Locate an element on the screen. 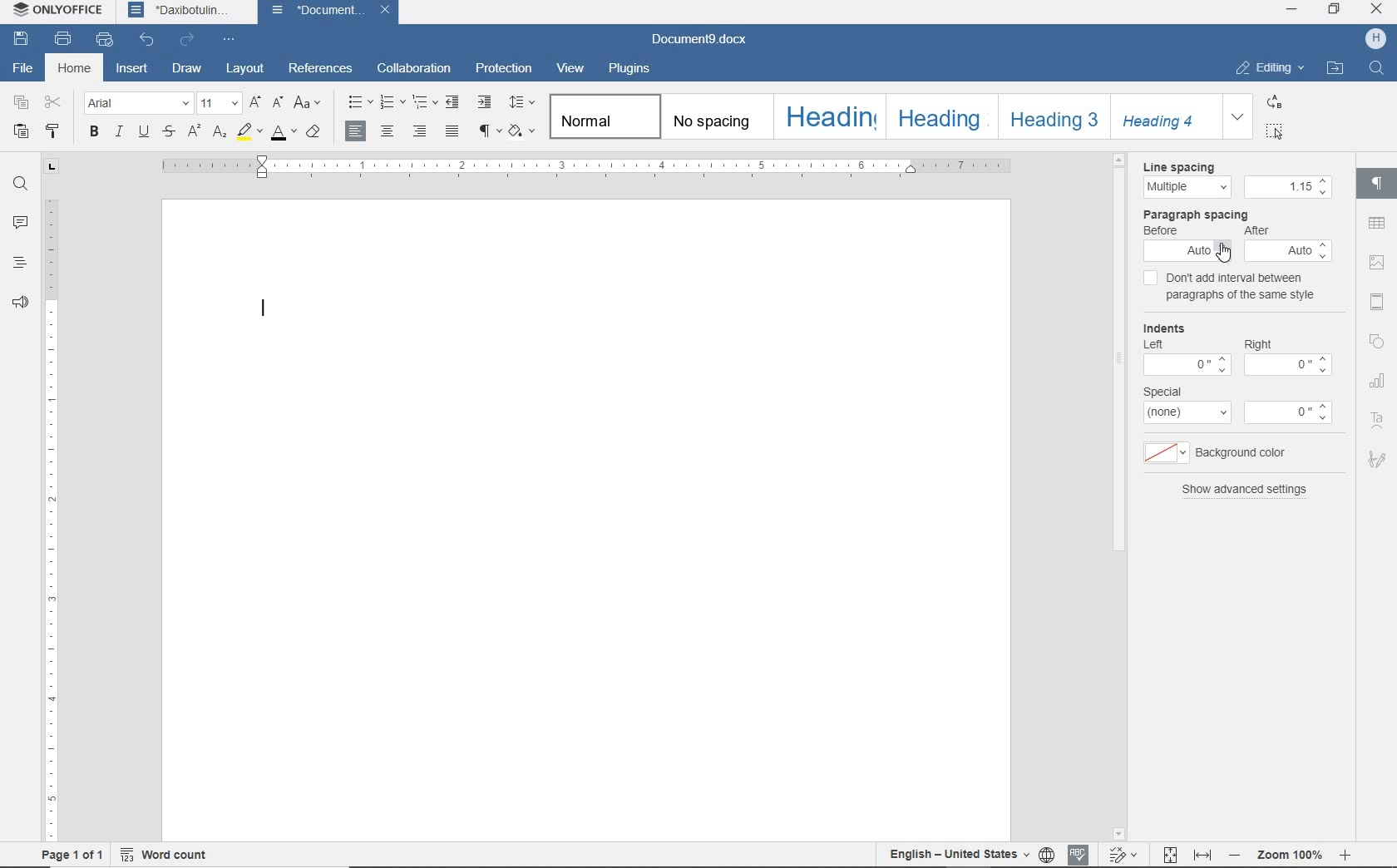 The image size is (1397, 868). protection is located at coordinates (506, 69).